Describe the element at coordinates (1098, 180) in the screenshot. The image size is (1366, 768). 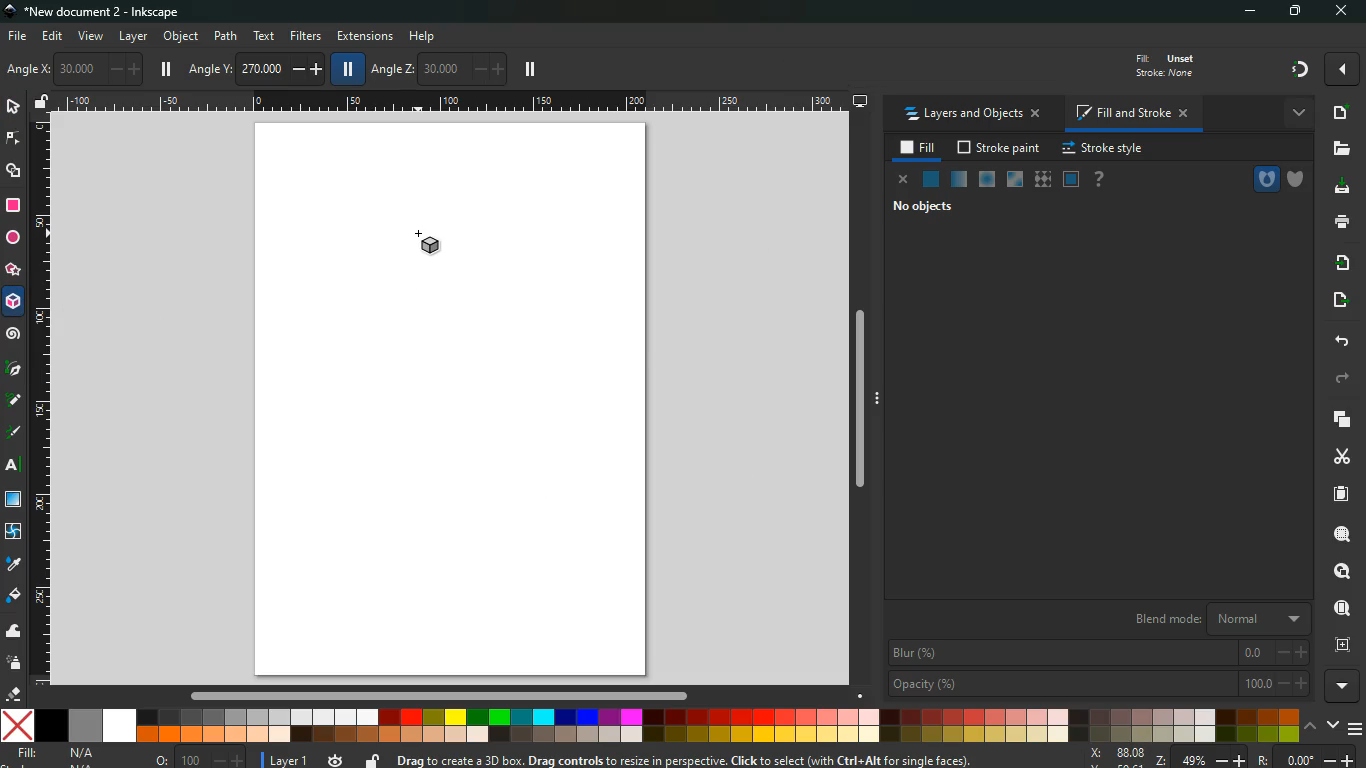
I see `help` at that location.